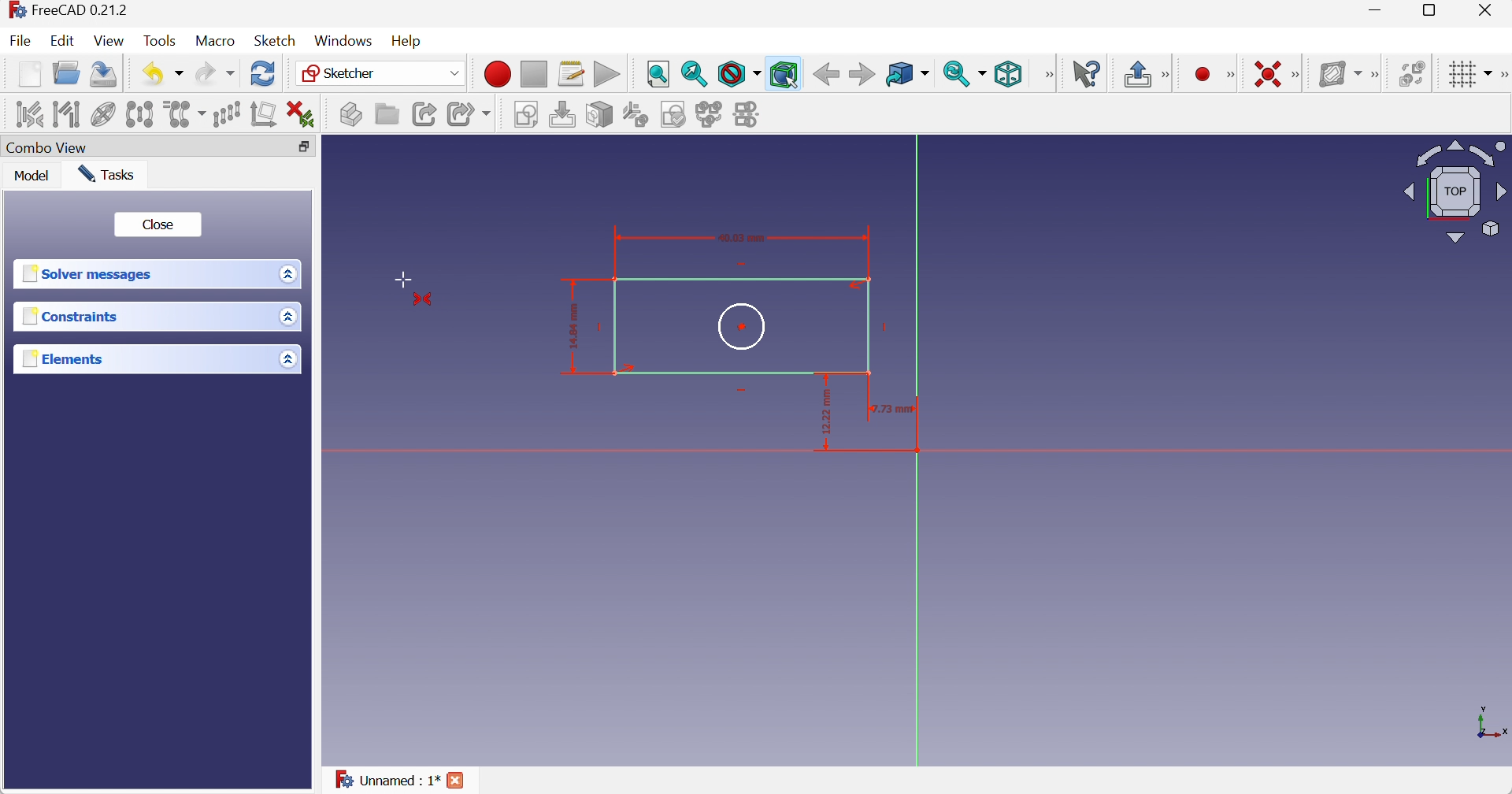  Describe the element at coordinates (69, 114) in the screenshot. I see `Select associated geometry` at that location.